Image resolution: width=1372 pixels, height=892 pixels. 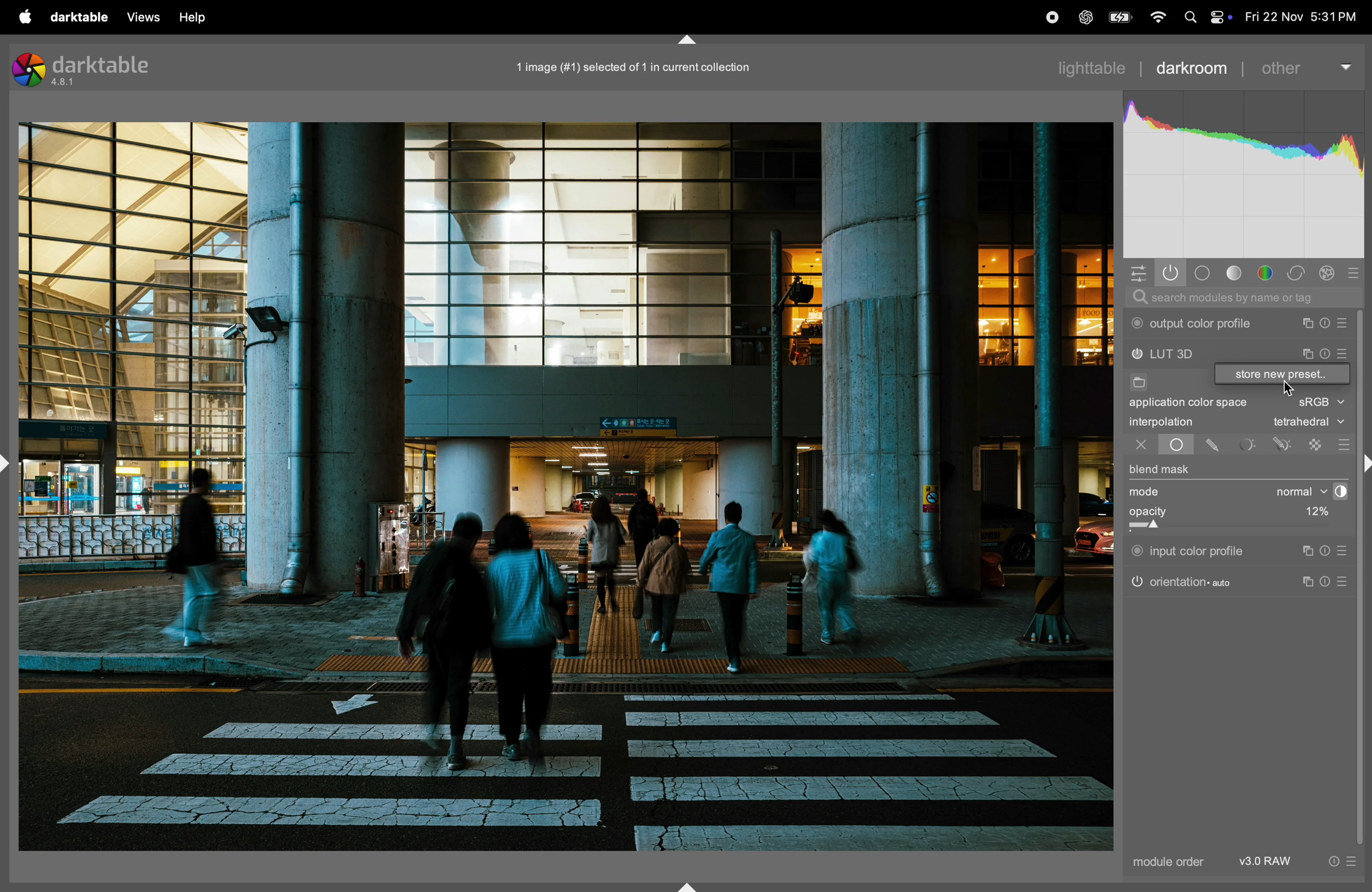 What do you see at coordinates (1291, 492) in the screenshot?
I see `normal` at bounding box center [1291, 492].